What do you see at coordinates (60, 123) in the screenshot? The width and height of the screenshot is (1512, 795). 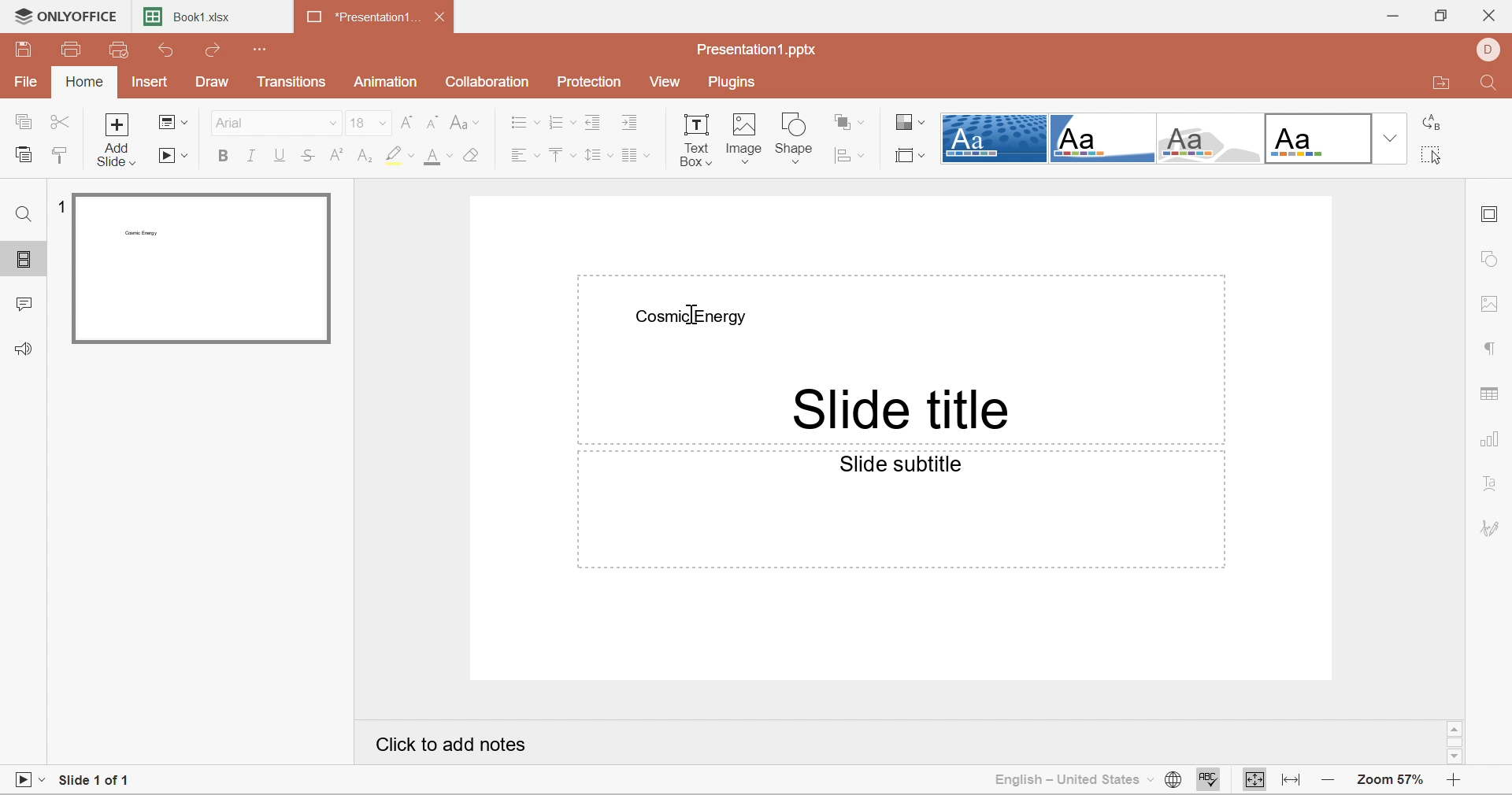 I see `Cut` at bounding box center [60, 123].